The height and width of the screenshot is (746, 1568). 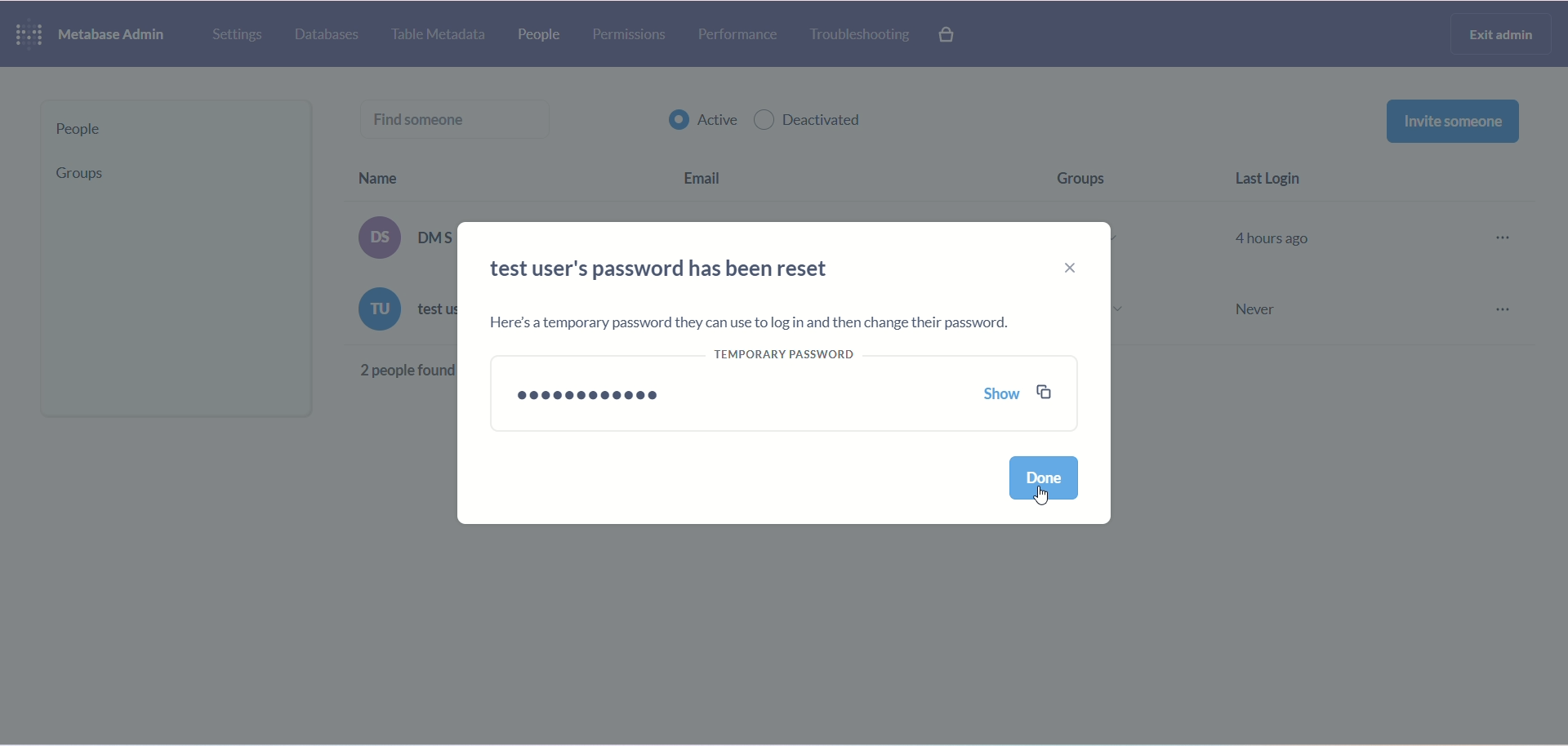 I want to click on logo, so click(x=29, y=33).